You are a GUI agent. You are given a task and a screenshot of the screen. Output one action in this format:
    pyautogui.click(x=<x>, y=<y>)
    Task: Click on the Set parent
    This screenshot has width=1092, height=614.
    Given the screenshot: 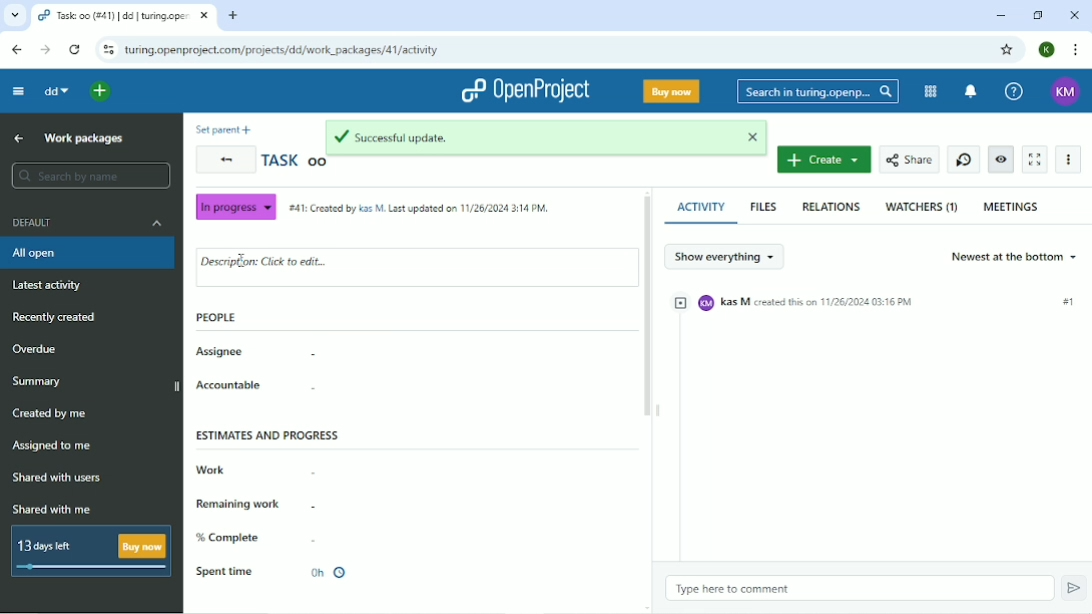 What is the action you would take?
    pyautogui.click(x=223, y=128)
    